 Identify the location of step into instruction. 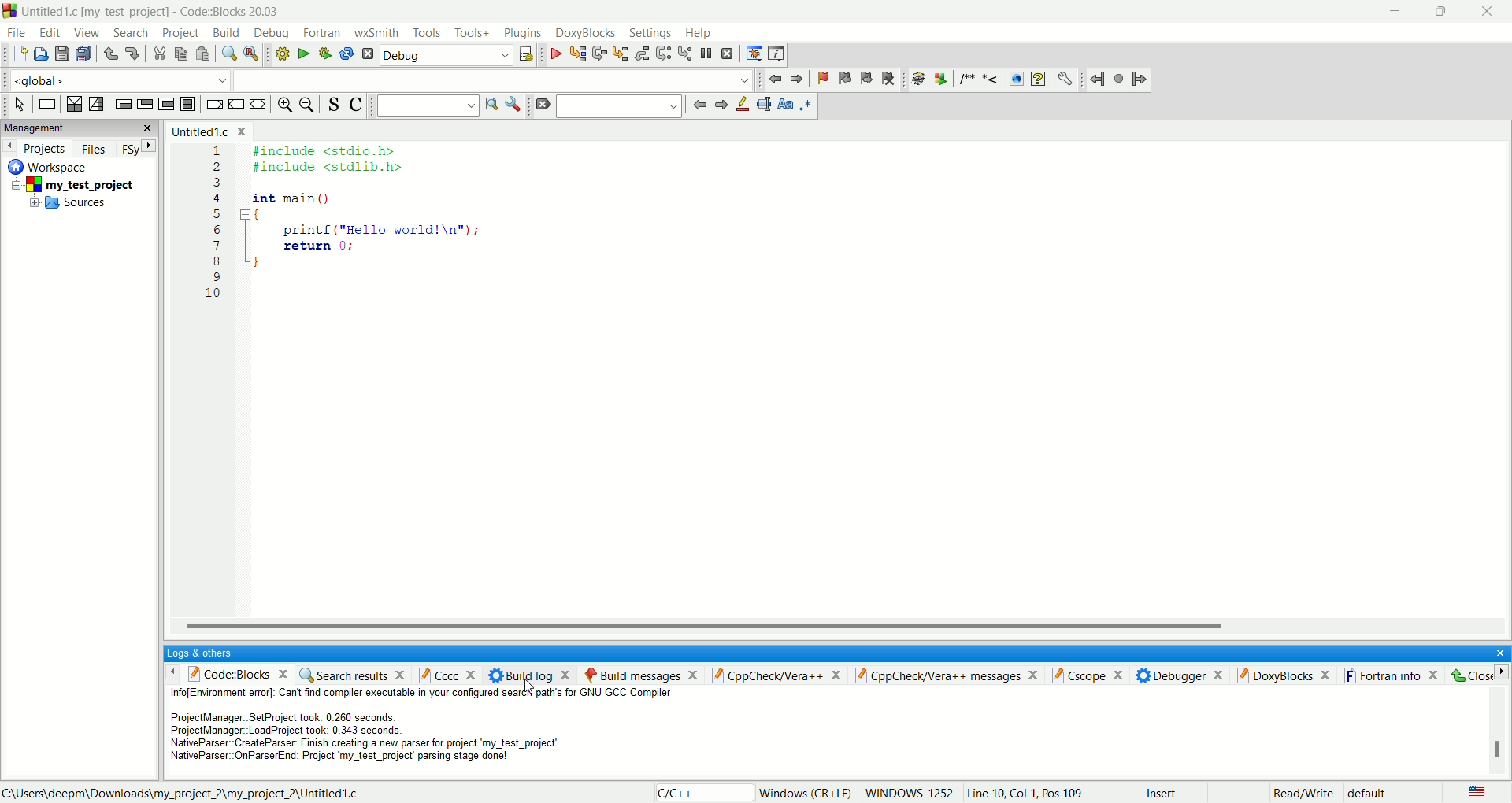
(685, 54).